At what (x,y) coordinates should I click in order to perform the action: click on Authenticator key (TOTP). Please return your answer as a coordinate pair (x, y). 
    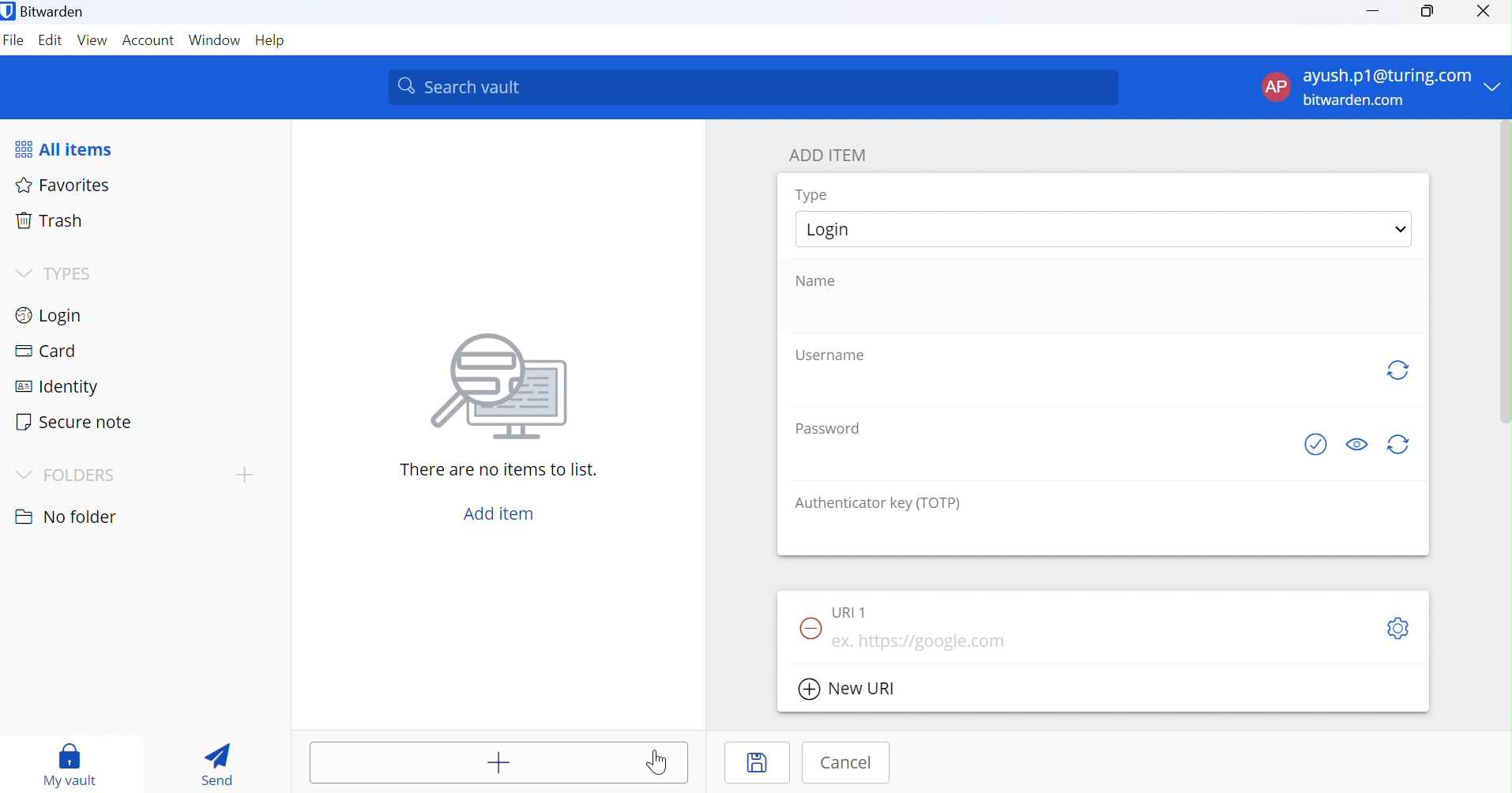
    Looking at the image, I should click on (878, 502).